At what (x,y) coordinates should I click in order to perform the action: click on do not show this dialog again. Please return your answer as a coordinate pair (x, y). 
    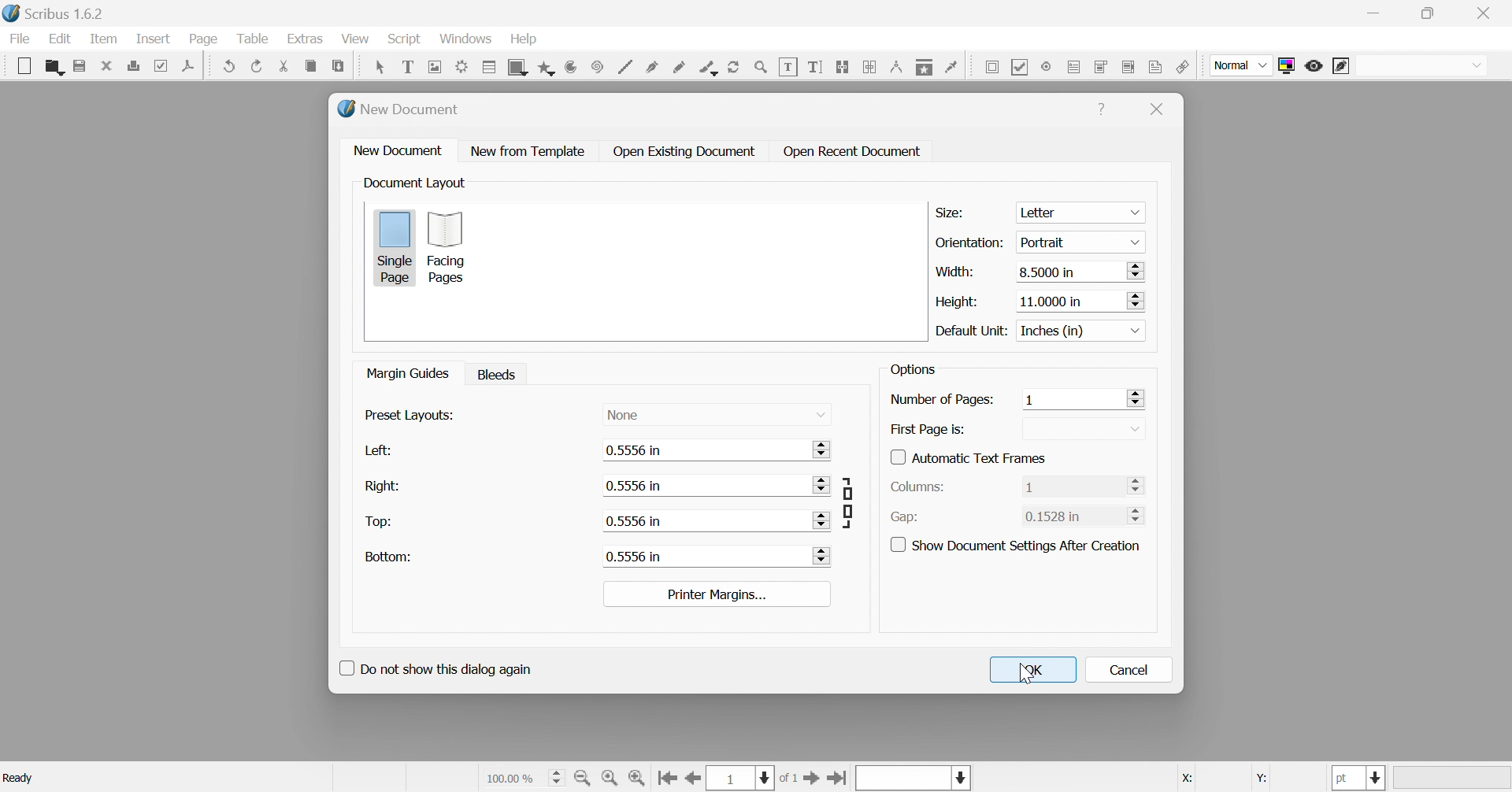
    Looking at the image, I should click on (432, 672).